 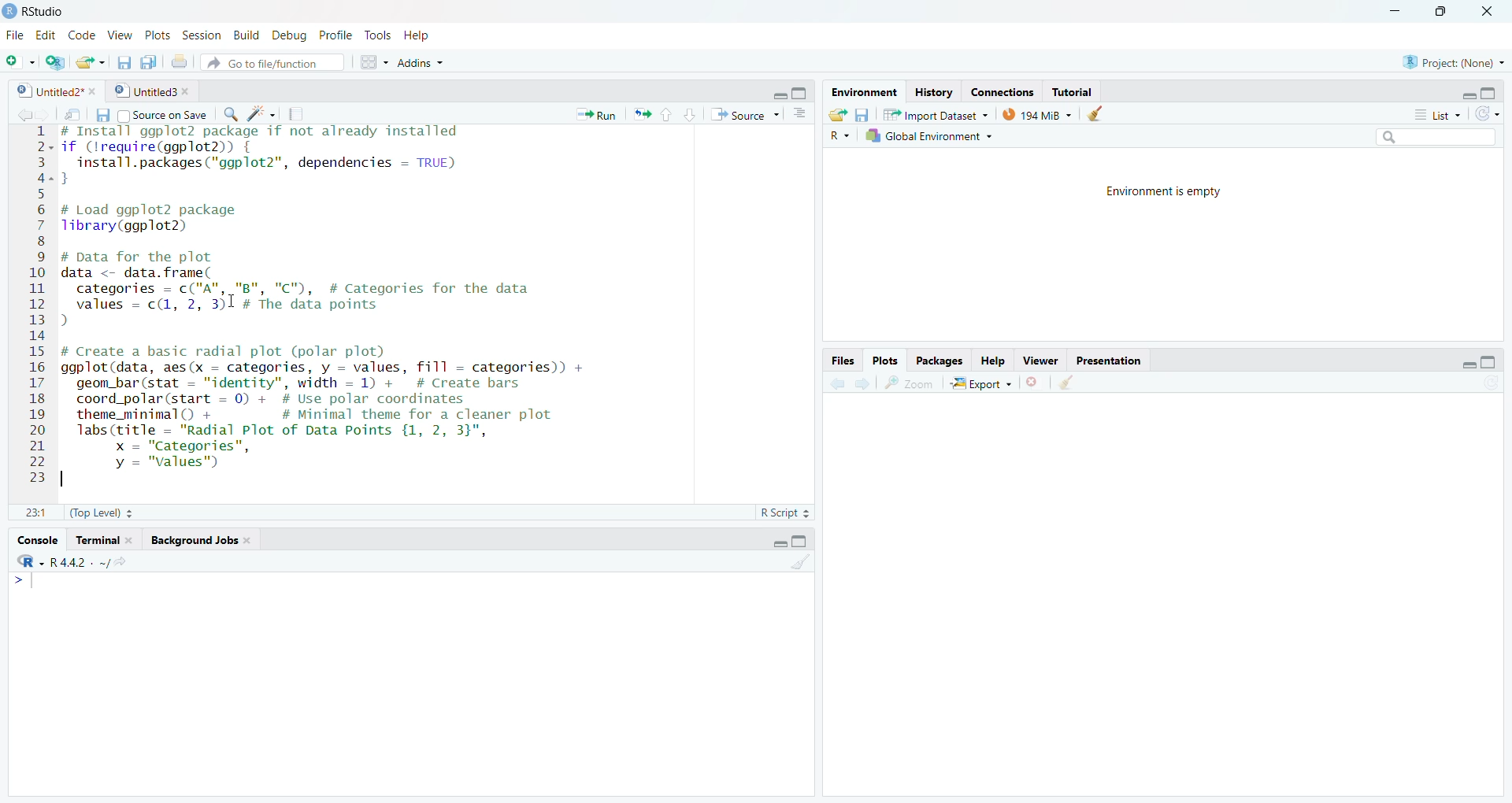 What do you see at coordinates (1398, 12) in the screenshot?
I see `Minimize` at bounding box center [1398, 12].